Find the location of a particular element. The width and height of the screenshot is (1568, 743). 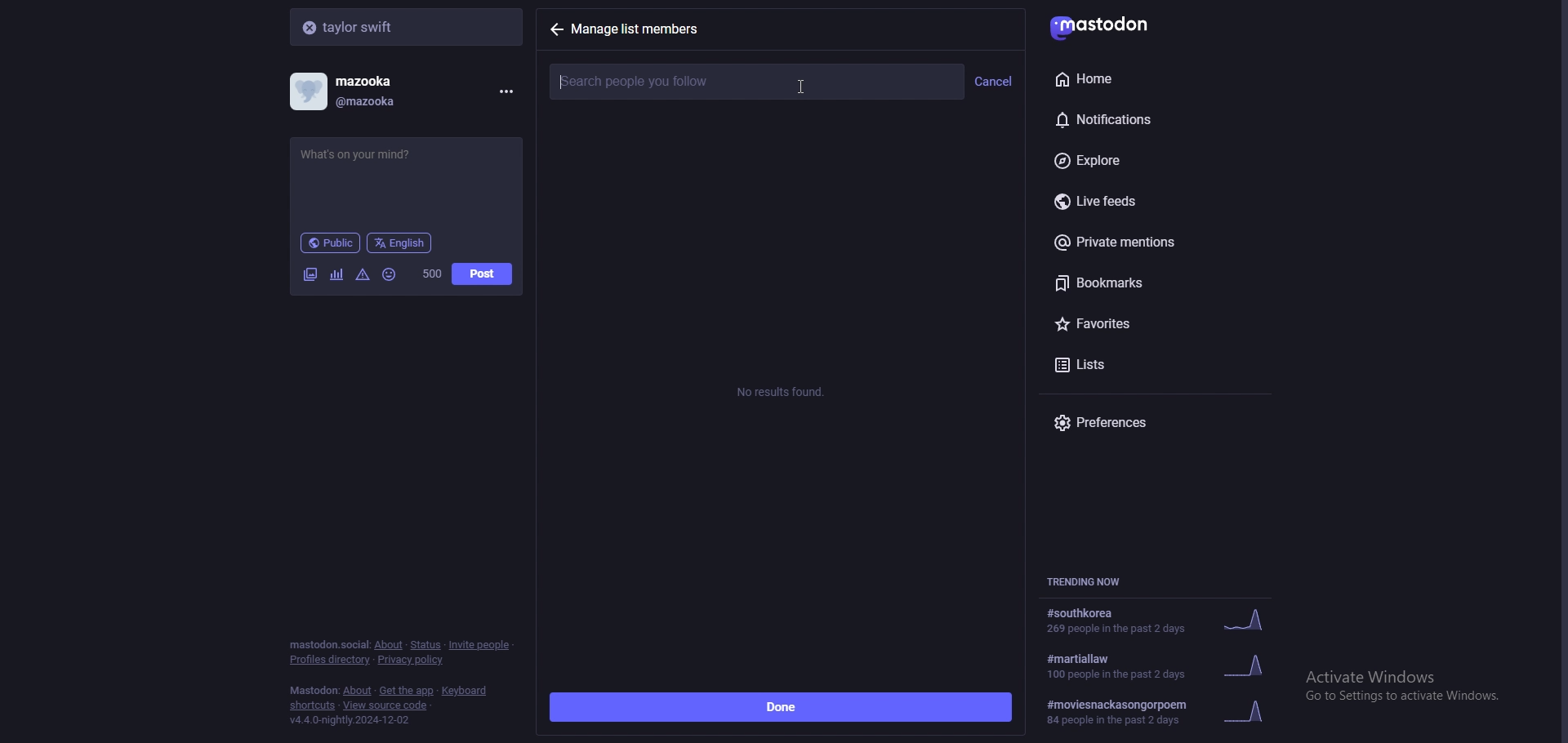

version is located at coordinates (349, 720).